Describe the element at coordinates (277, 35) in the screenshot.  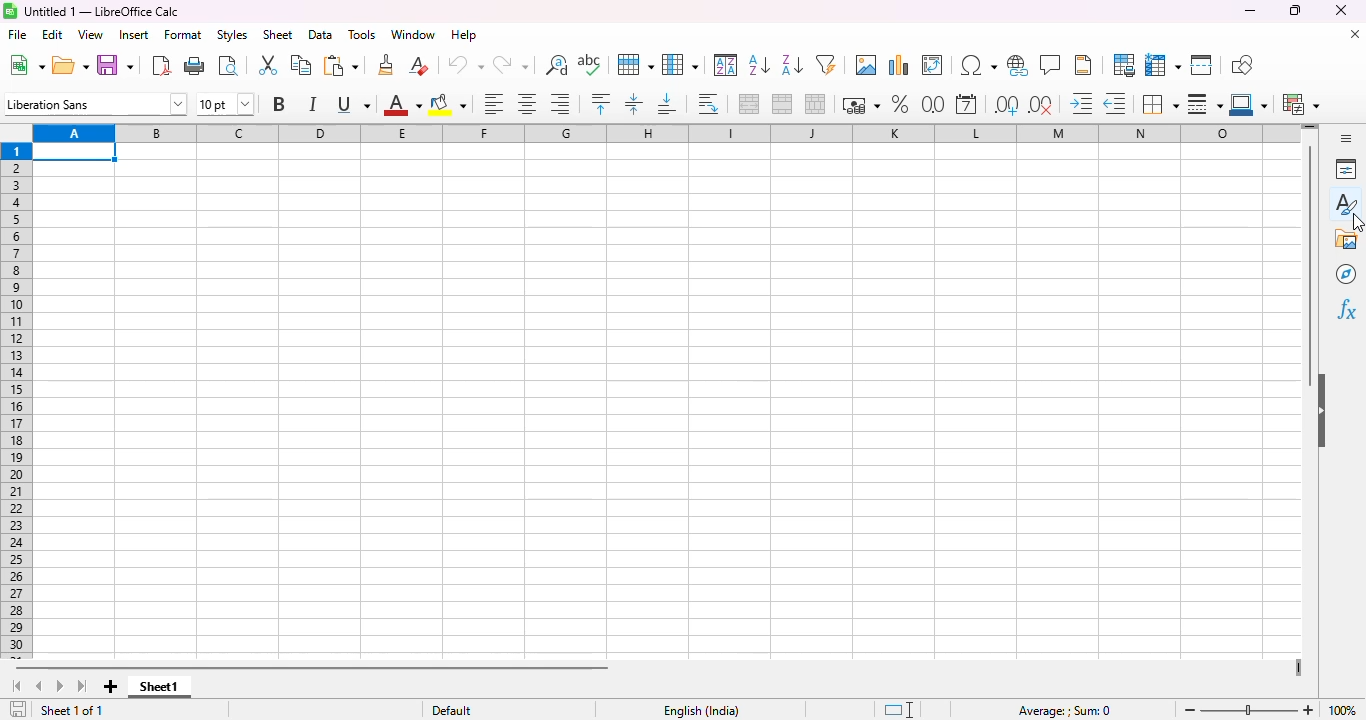
I see `sheet` at that location.